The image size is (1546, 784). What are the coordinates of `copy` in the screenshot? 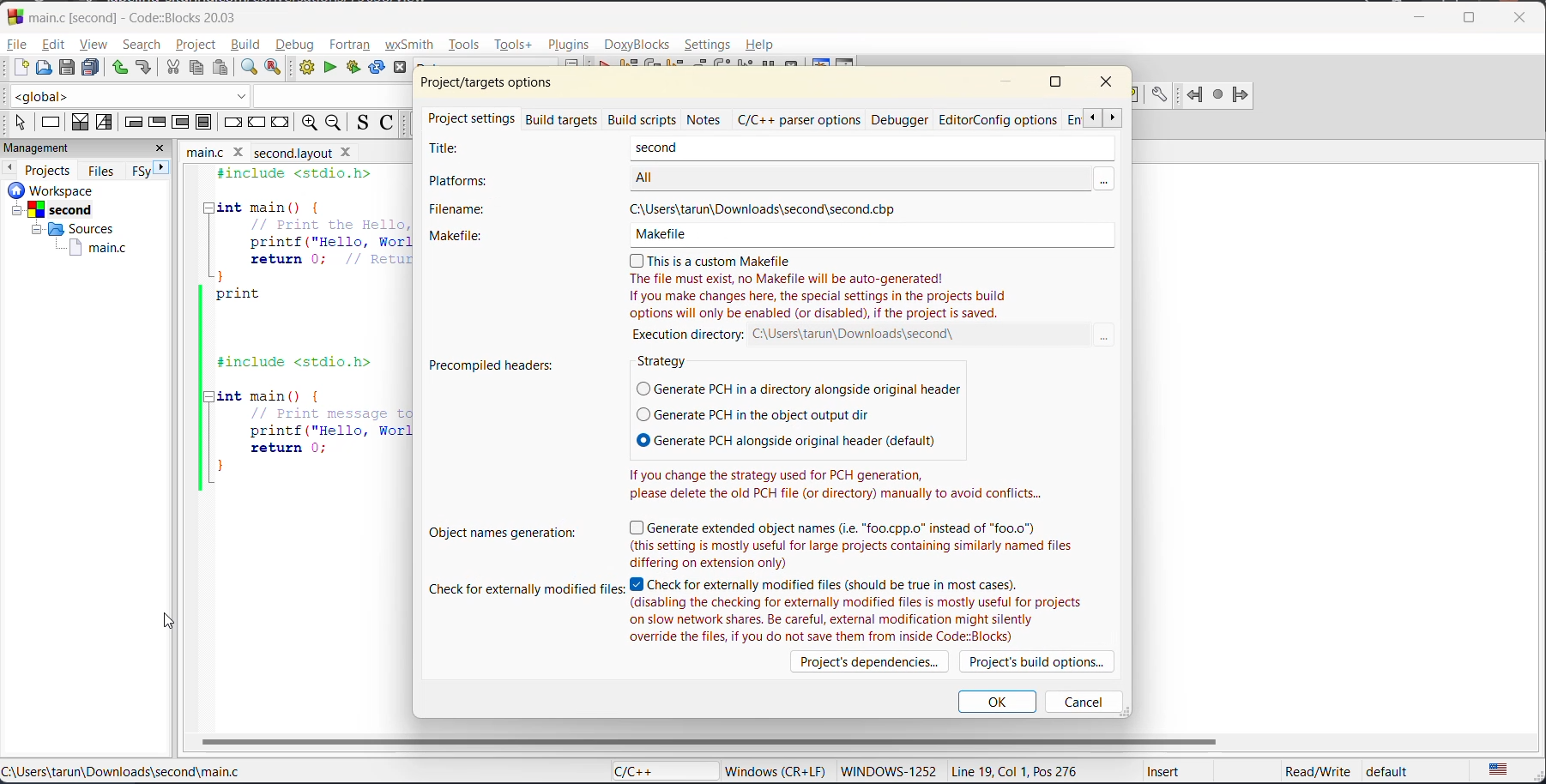 It's located at (195, 67).